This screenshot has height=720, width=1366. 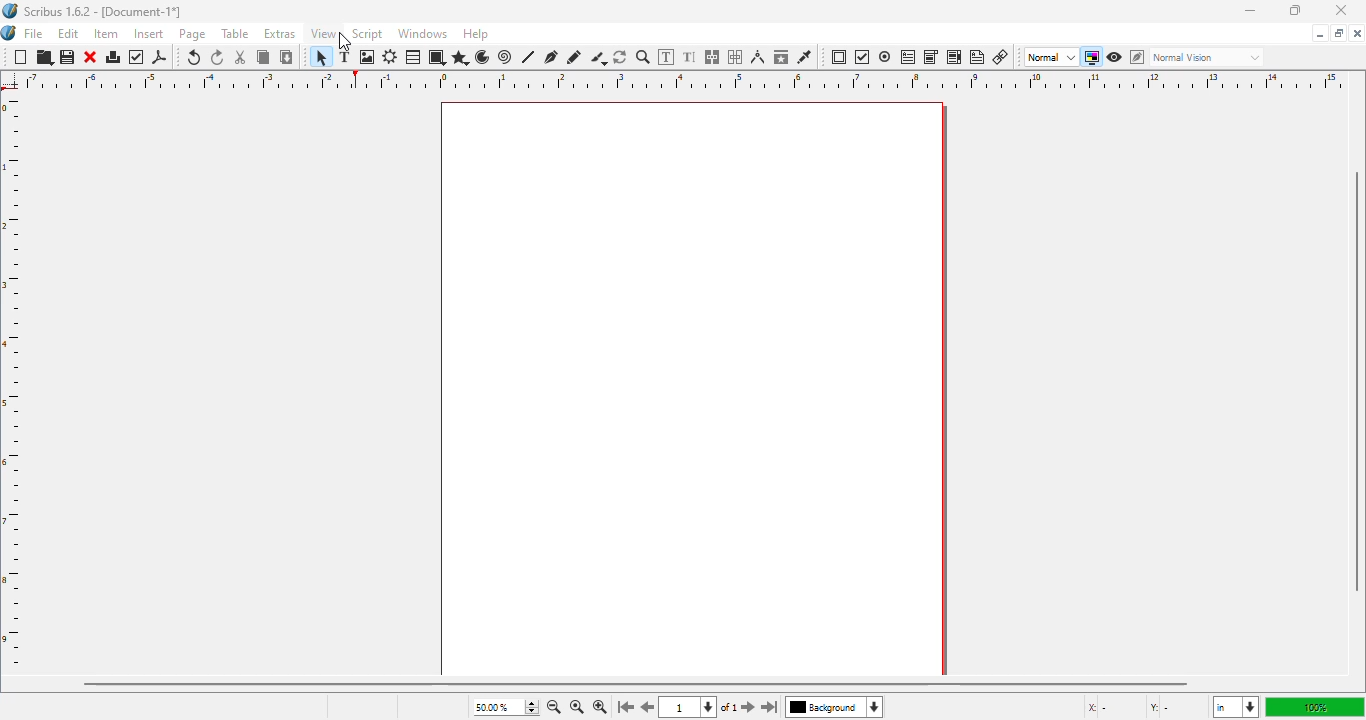 What do you see at coordinates (773, 709) in the screenshot?
I see `go to the last page` at bounding box center [773, 709].